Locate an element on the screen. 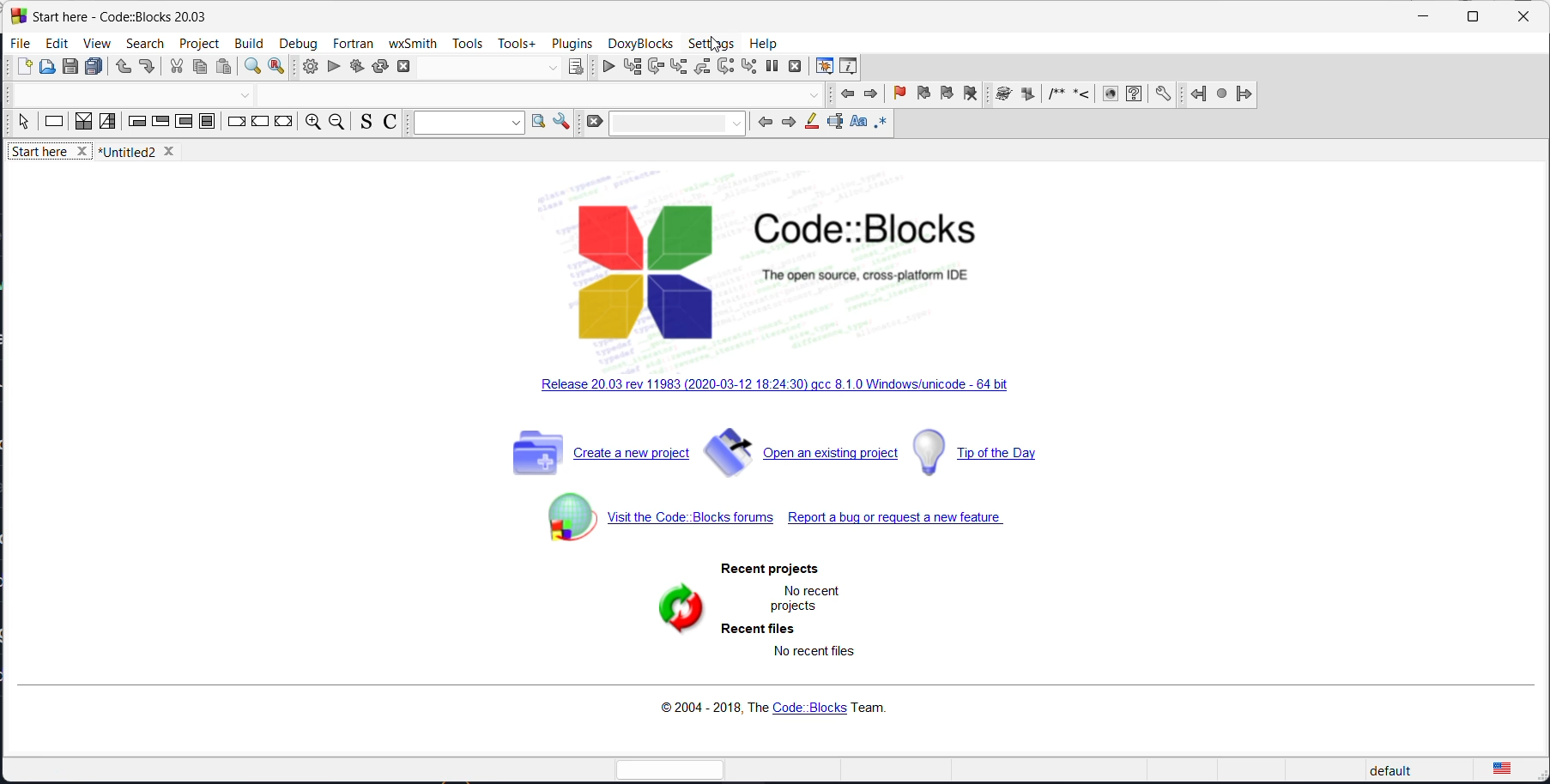 The height and width of the screenshot is (784, 1550). target dialog is located at coordinates (576, 67).